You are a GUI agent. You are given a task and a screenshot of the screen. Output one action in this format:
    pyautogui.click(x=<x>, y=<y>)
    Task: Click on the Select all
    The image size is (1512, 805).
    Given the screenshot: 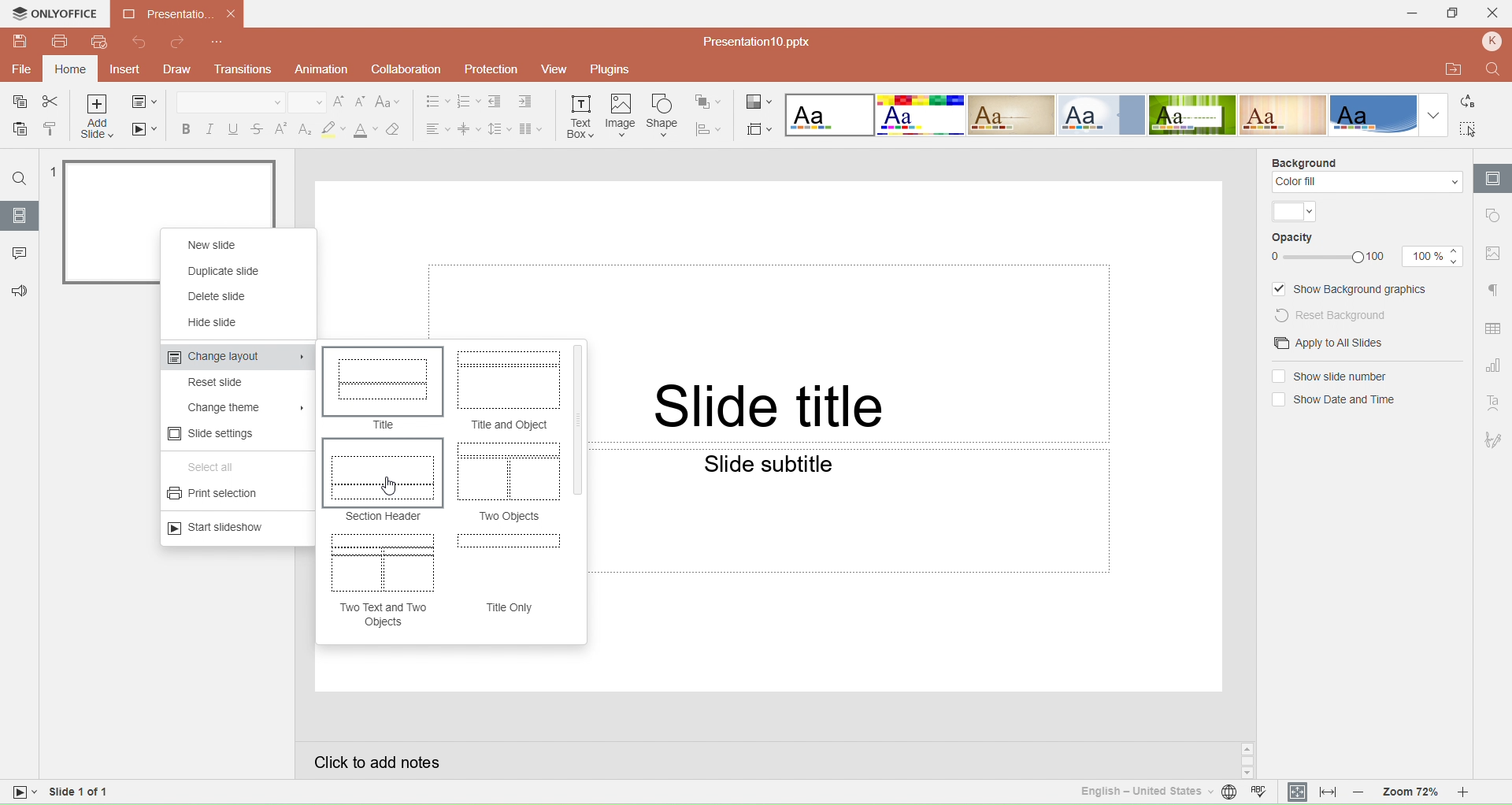 What is the action you would take?
    pyautogui.click(x=216, y=468)
    